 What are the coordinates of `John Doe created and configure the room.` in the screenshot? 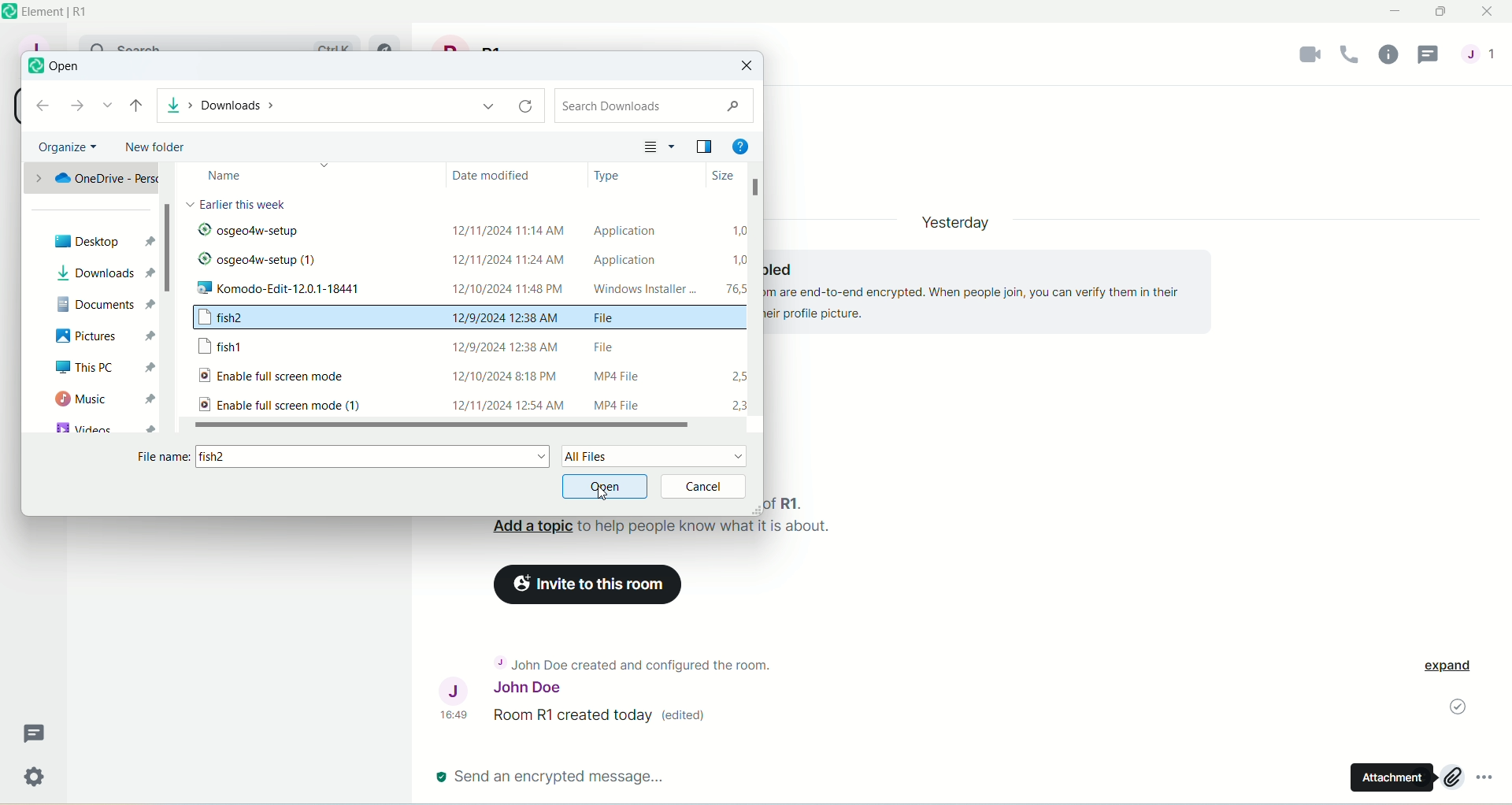 It's located at (628, 663).